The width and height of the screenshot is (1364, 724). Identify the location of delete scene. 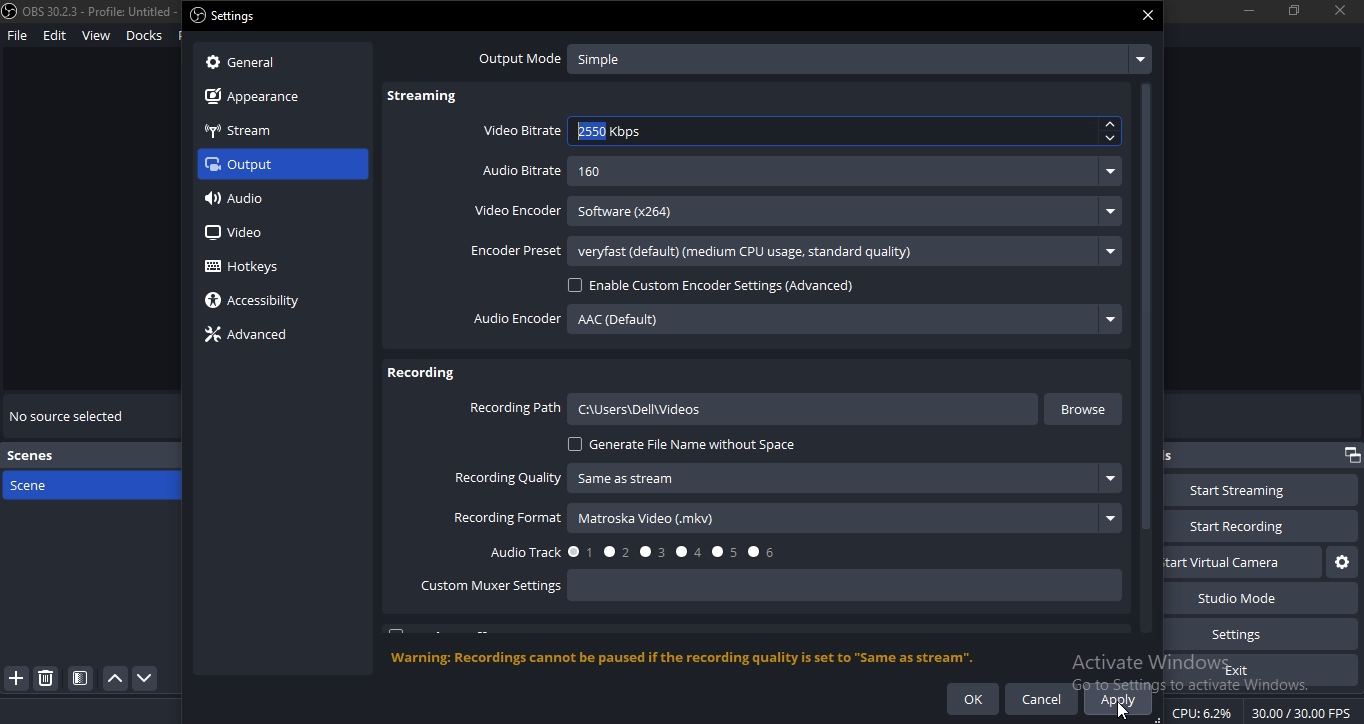
(47, 681).